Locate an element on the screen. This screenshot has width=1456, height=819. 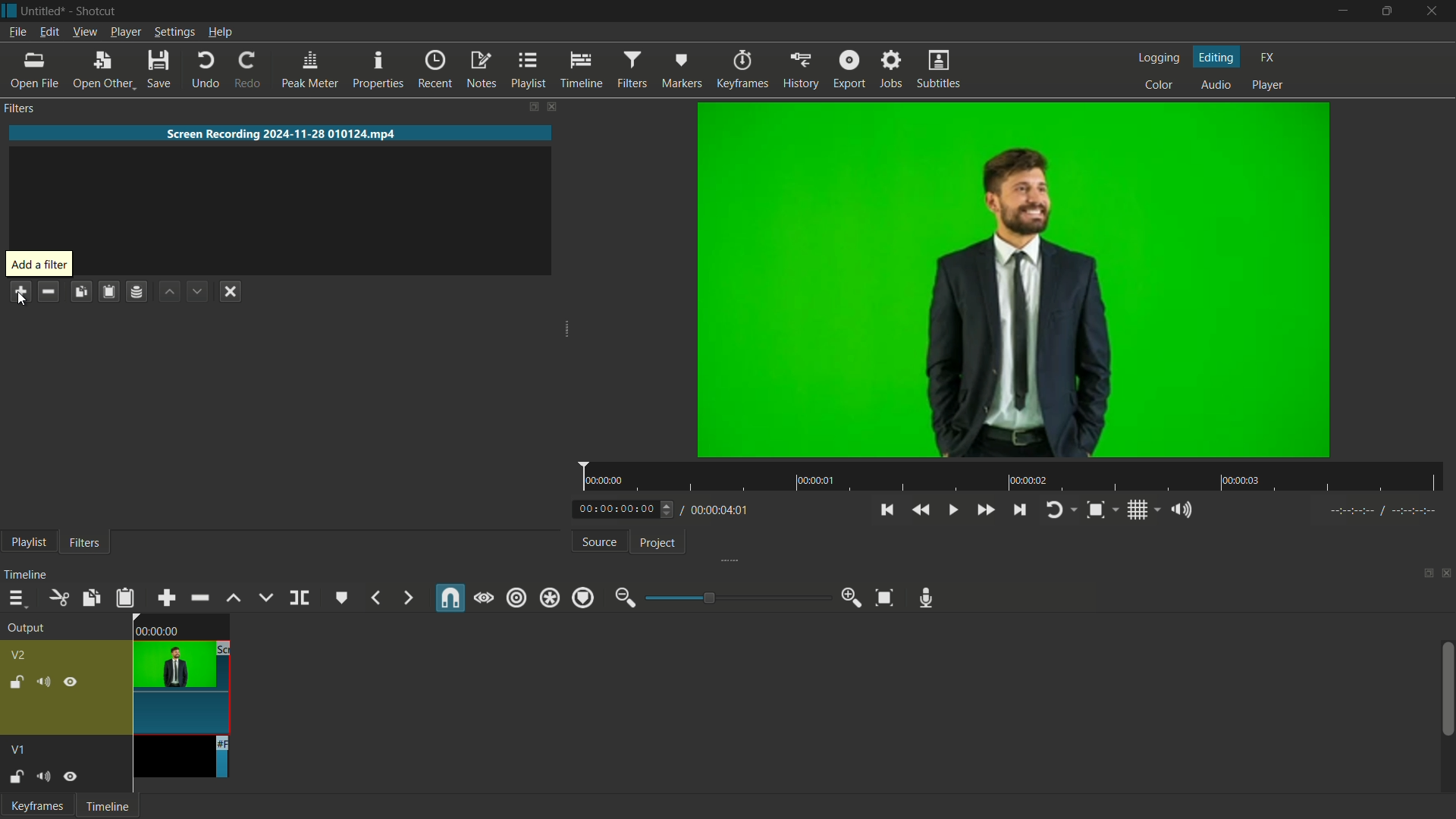
skip to the next point is located at coordinates (1018, 510).